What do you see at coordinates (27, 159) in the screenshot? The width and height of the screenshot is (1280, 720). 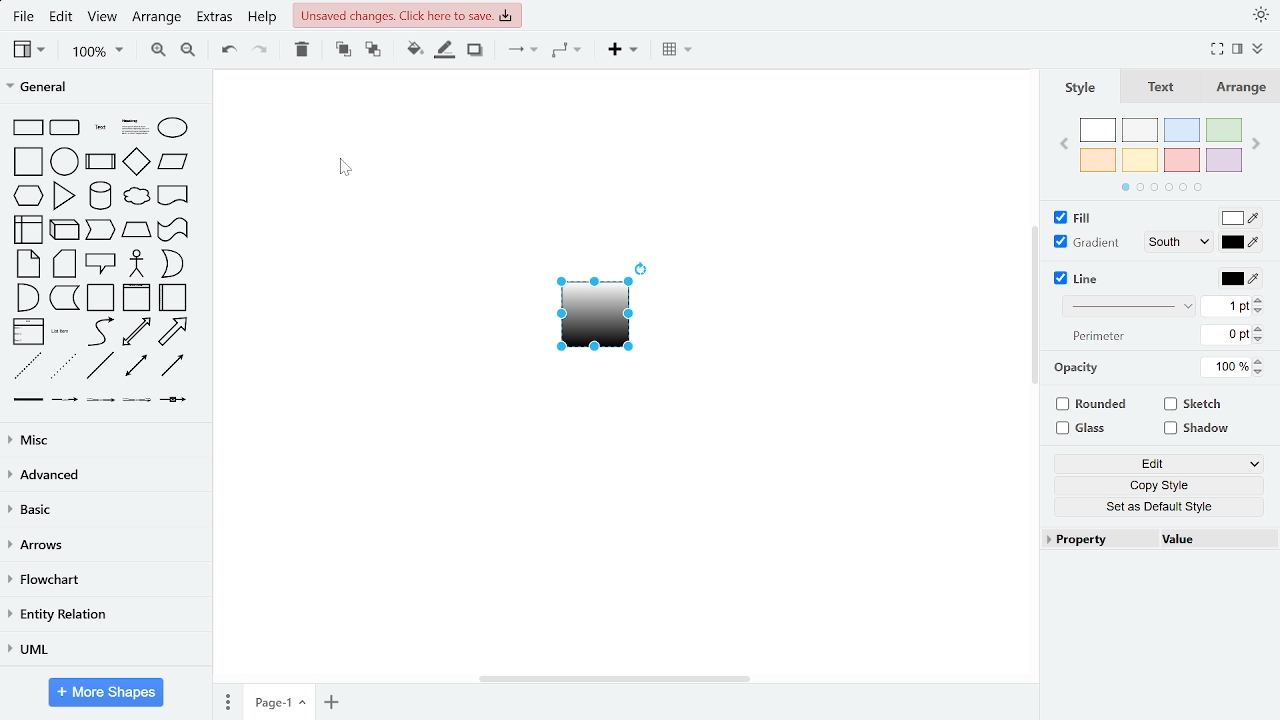 I see `general shapes` at bounding box center [27, 159].